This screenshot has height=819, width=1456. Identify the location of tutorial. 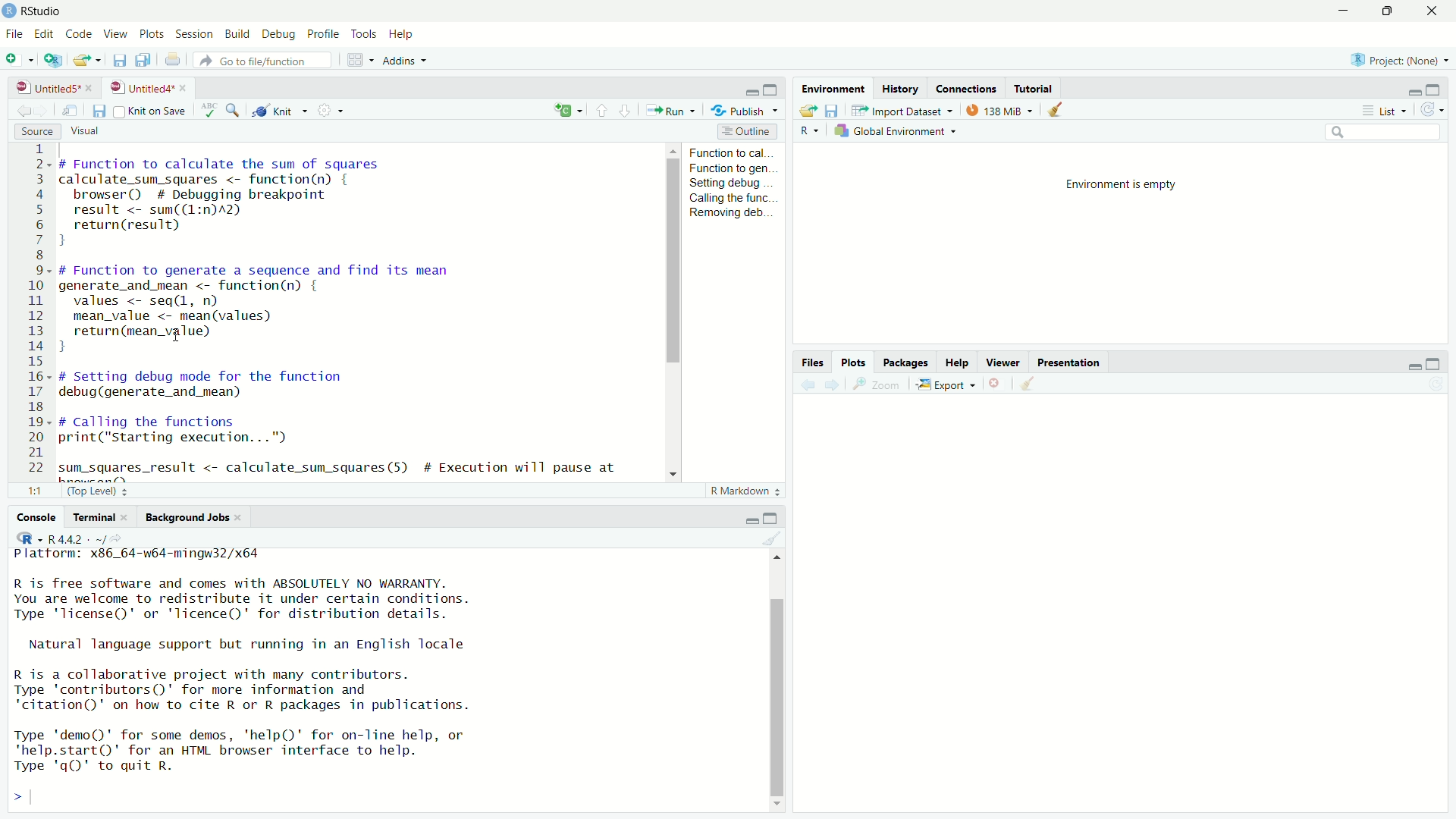
(1036, 86).